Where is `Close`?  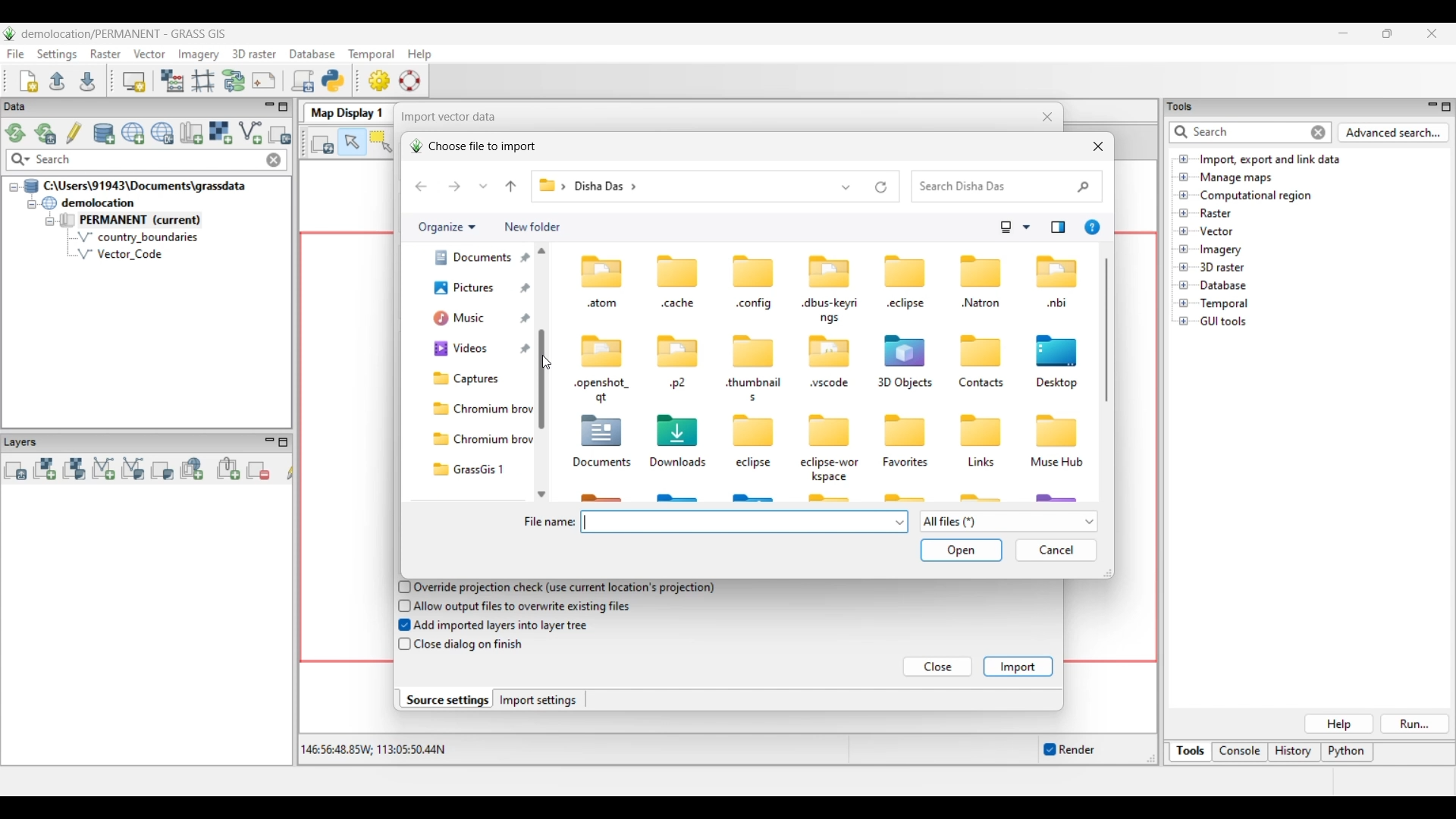 Close is located at coordinates (939, 667).